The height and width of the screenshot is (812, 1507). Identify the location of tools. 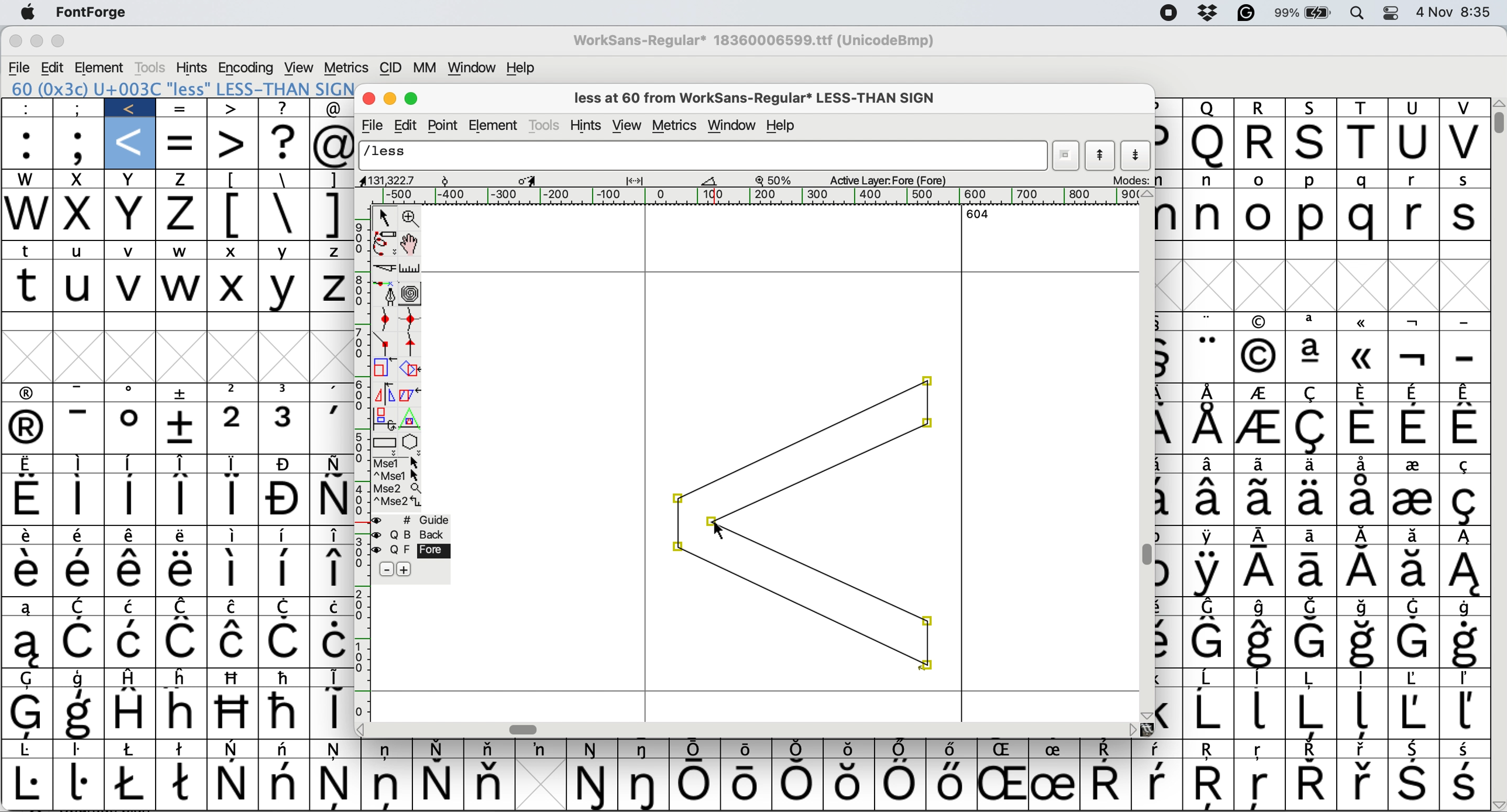
(150, 68).